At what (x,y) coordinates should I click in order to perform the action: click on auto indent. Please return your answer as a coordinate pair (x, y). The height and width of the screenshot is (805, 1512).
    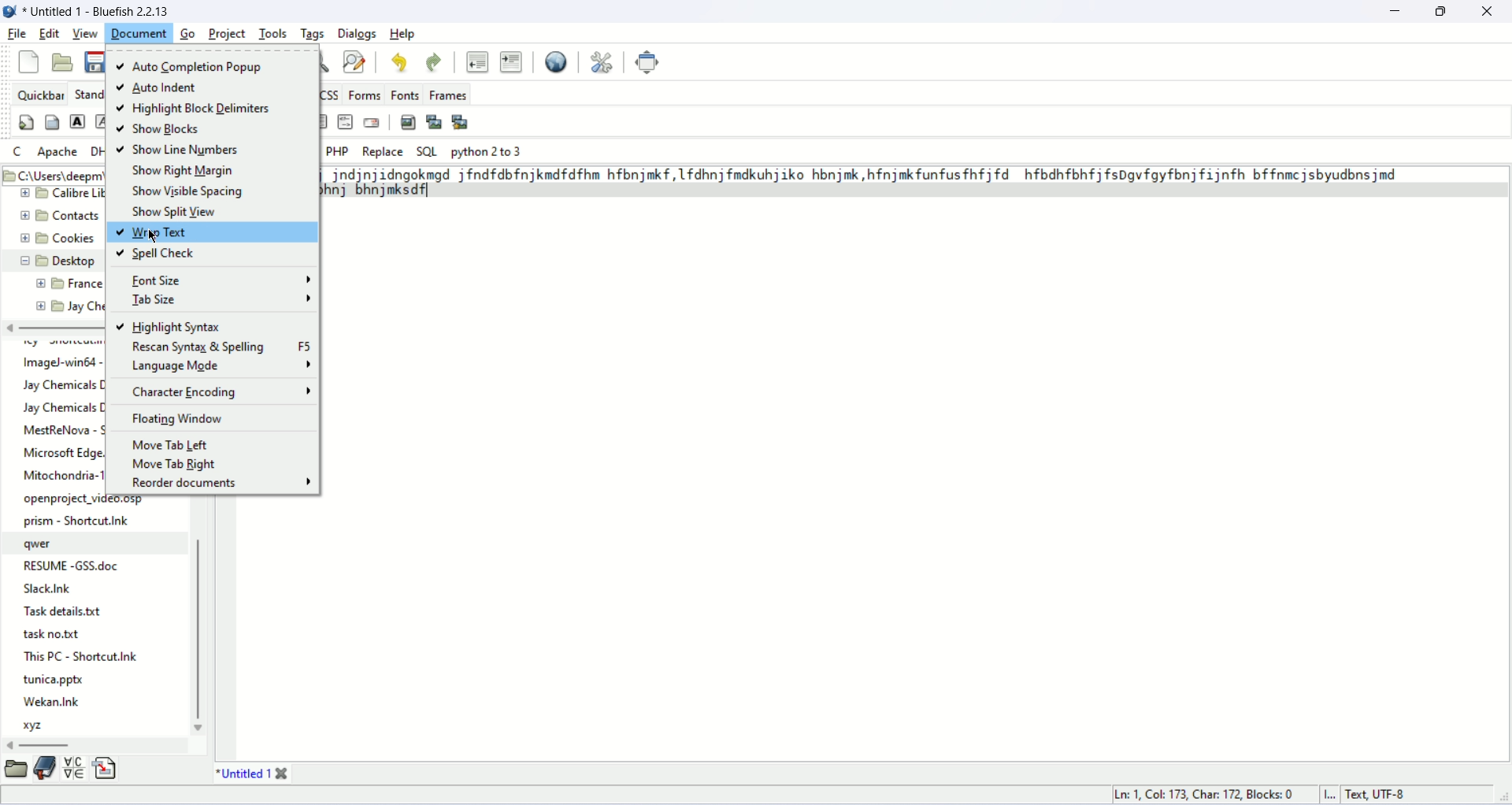
    Looking at the image, I should click on (161, 87).